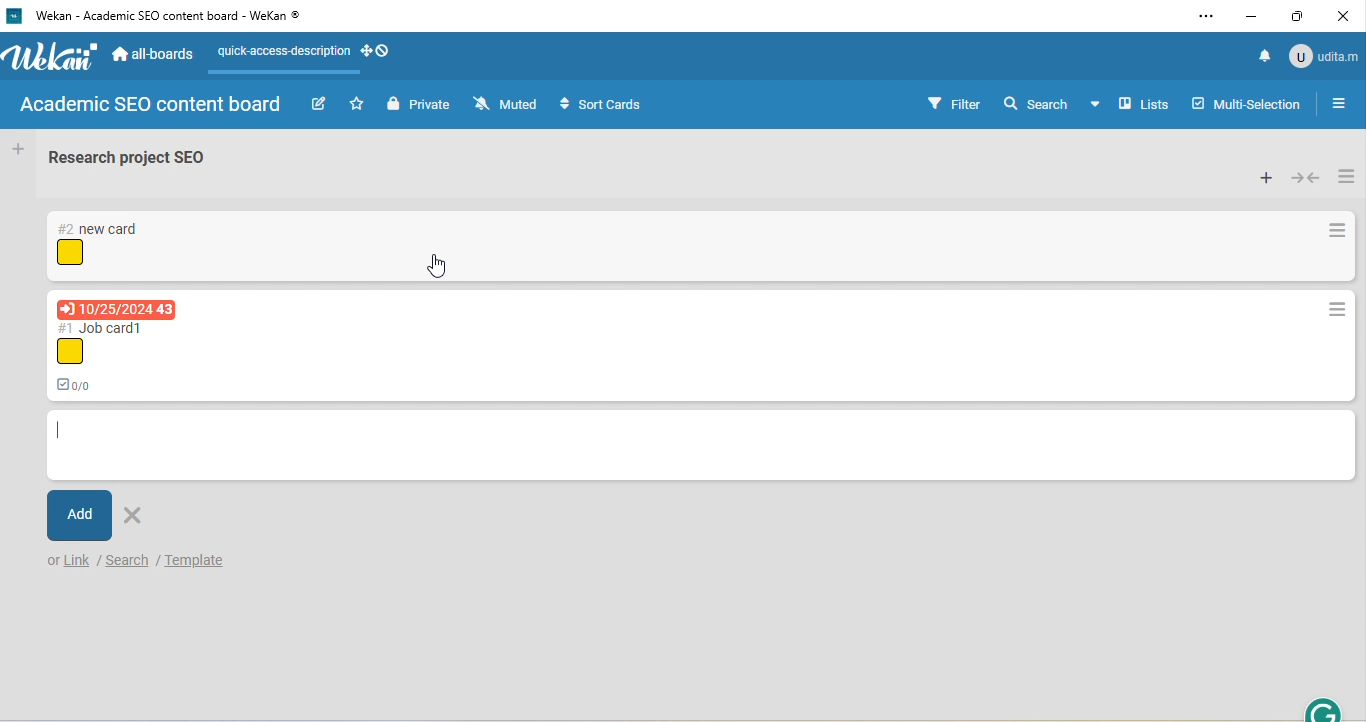  Describe the element at coordinates (1265, 178) in the screenshot. I see `add card to top of list` at that location.